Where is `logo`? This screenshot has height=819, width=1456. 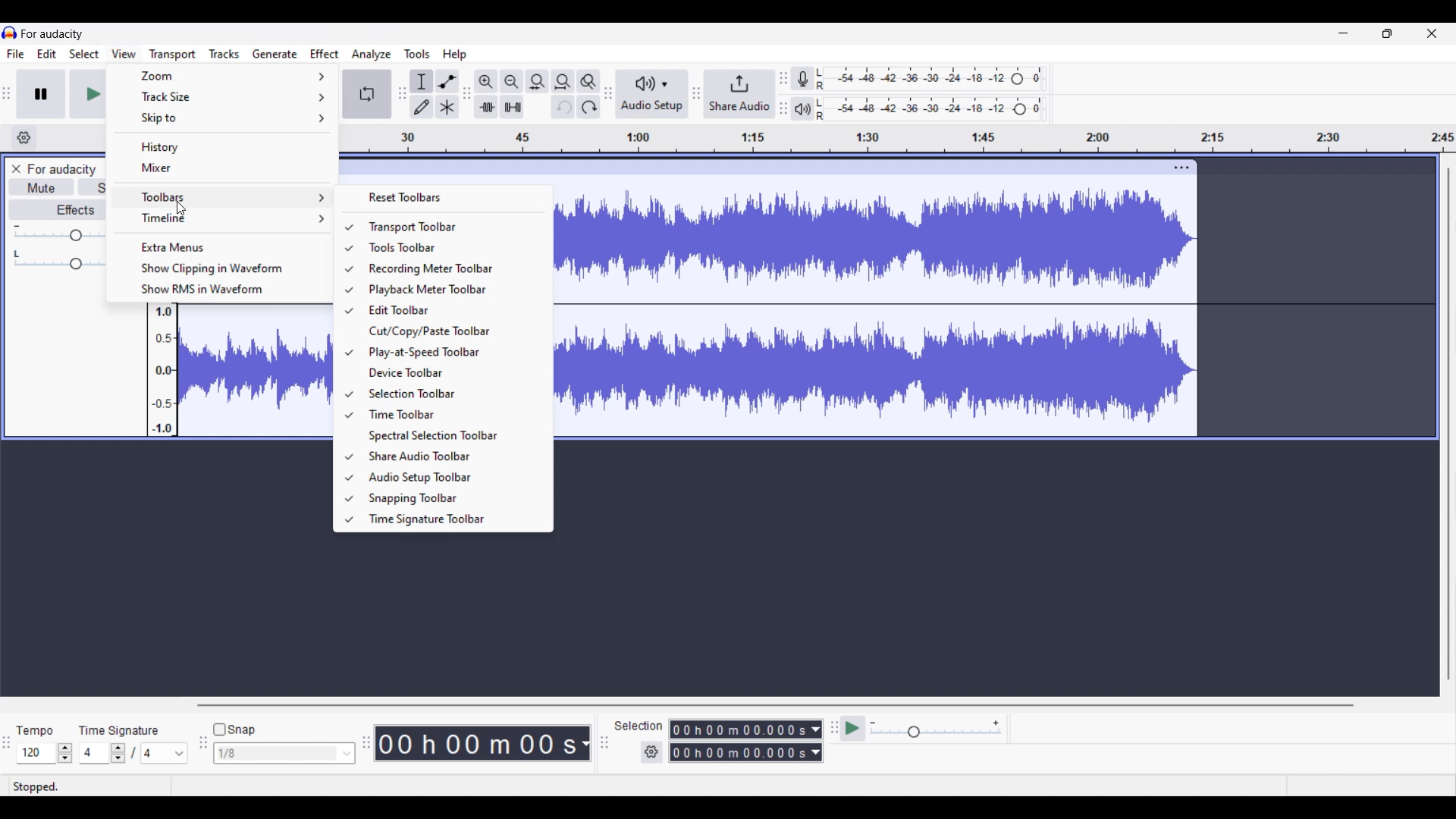
logo is located at coordinates (10, 32).